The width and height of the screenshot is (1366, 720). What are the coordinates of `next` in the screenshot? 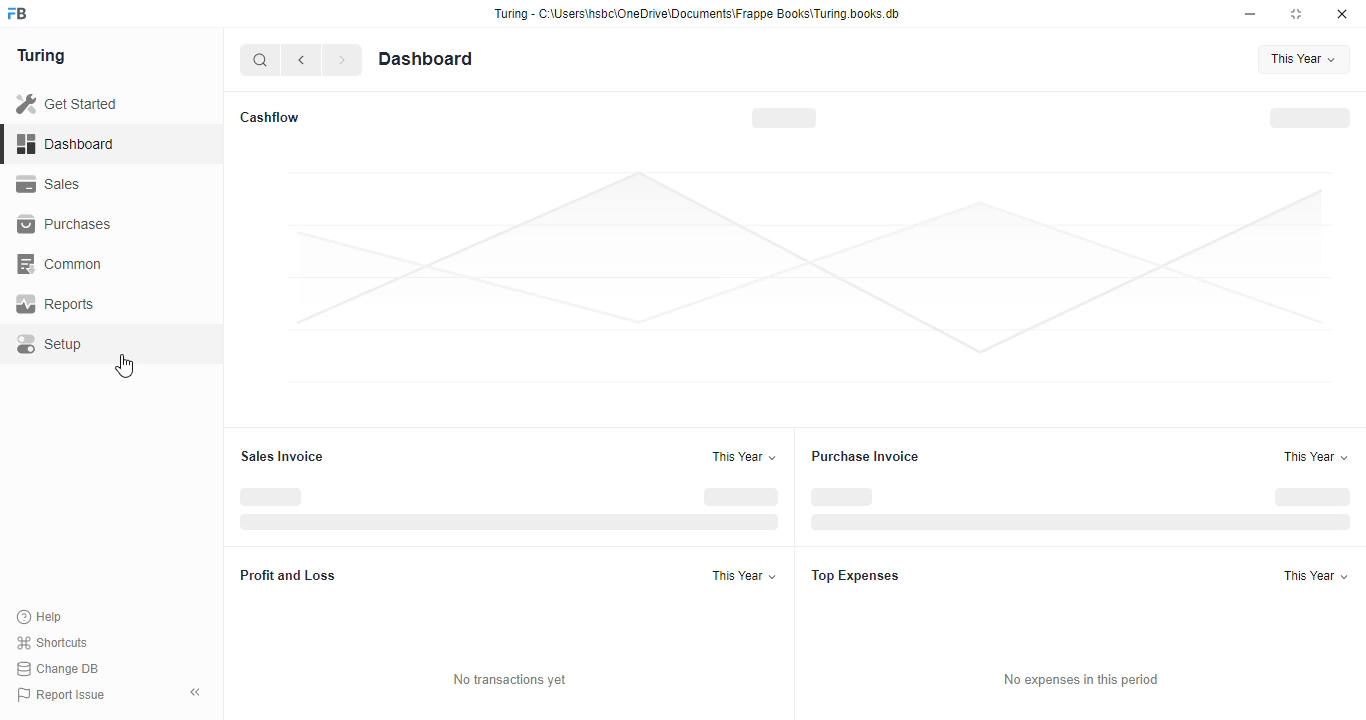 It's located at (344, 60).